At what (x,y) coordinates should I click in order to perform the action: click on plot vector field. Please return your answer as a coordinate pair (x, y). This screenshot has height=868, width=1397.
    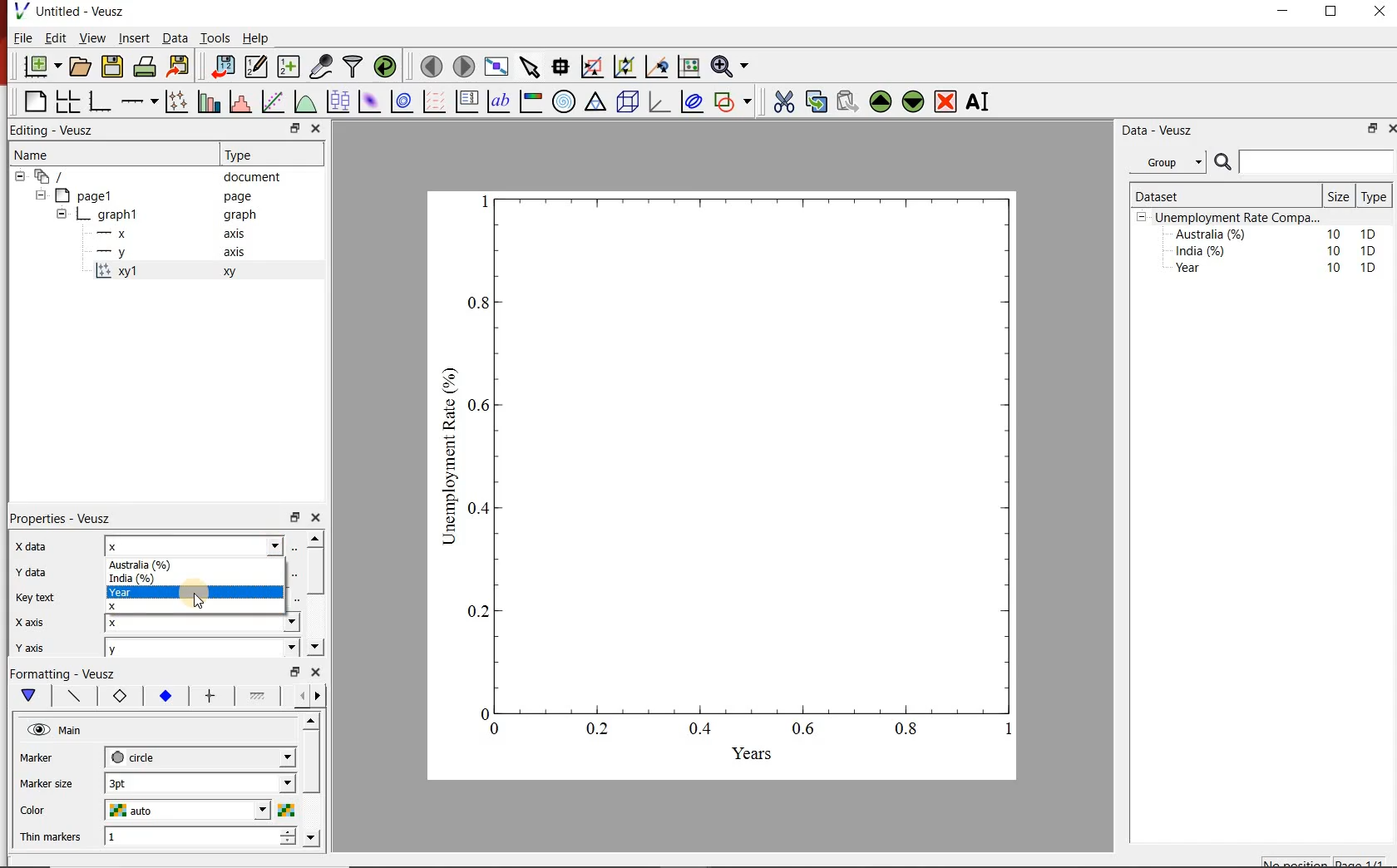
    Looking at the image, I should click on (433, 101).